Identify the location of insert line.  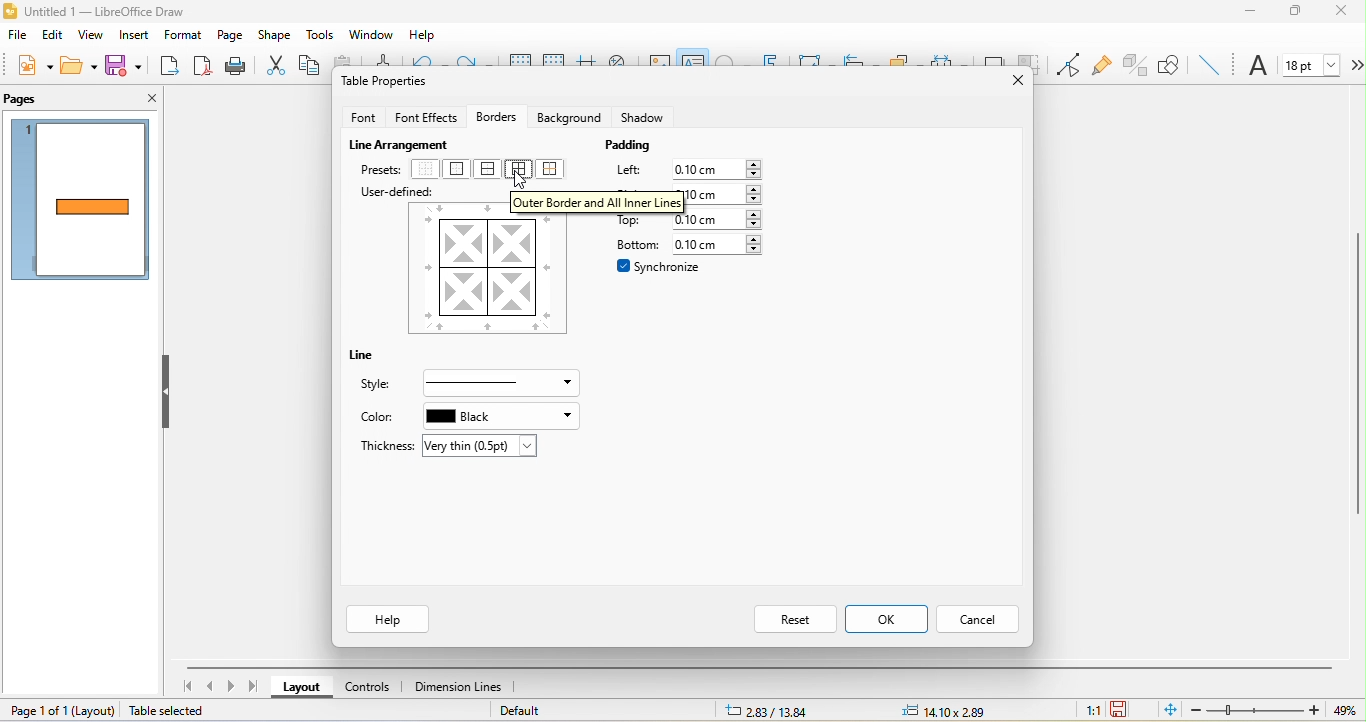
(1209, 64).